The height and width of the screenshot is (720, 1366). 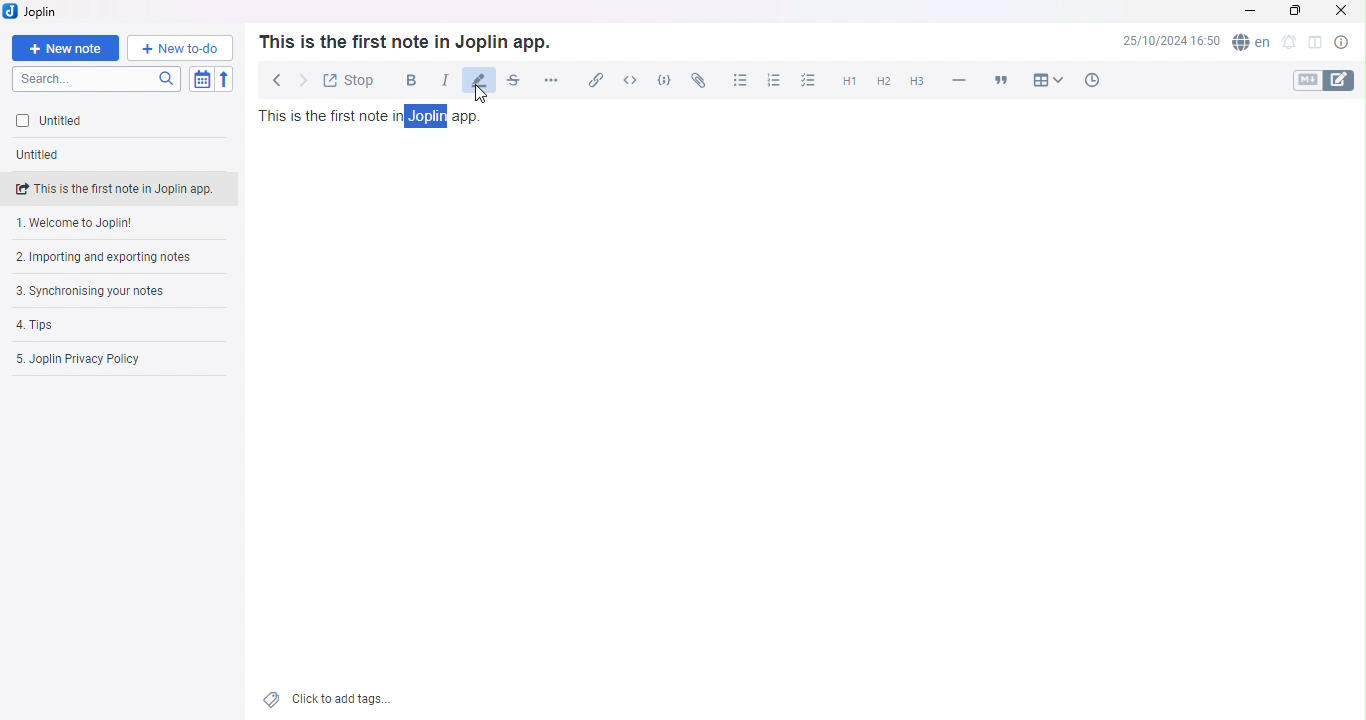 I want to click on Inline Code, so click(x=628, y=80).